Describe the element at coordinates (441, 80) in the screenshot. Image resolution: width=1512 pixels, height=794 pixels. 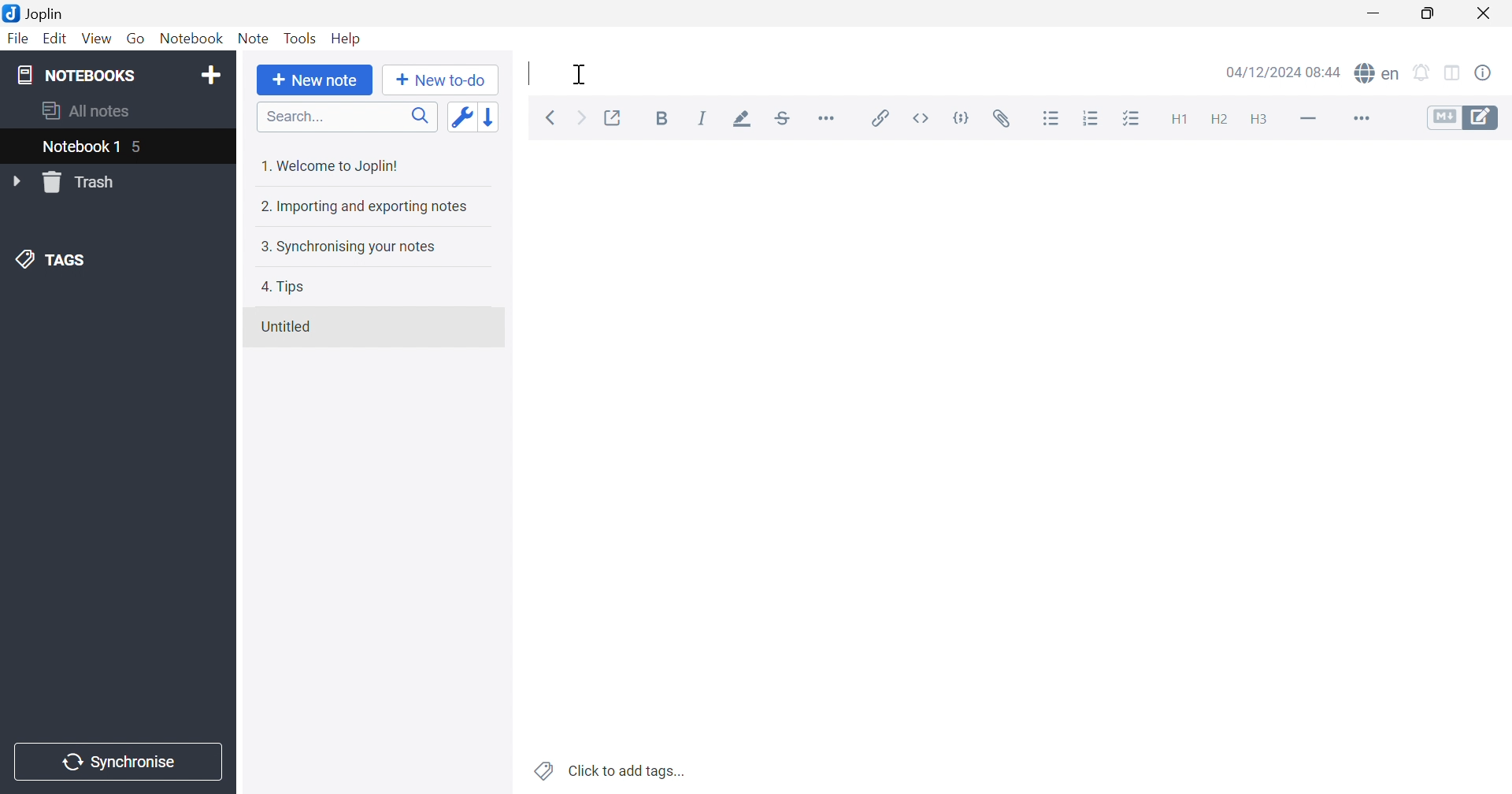
I see `New to-do` at that location.